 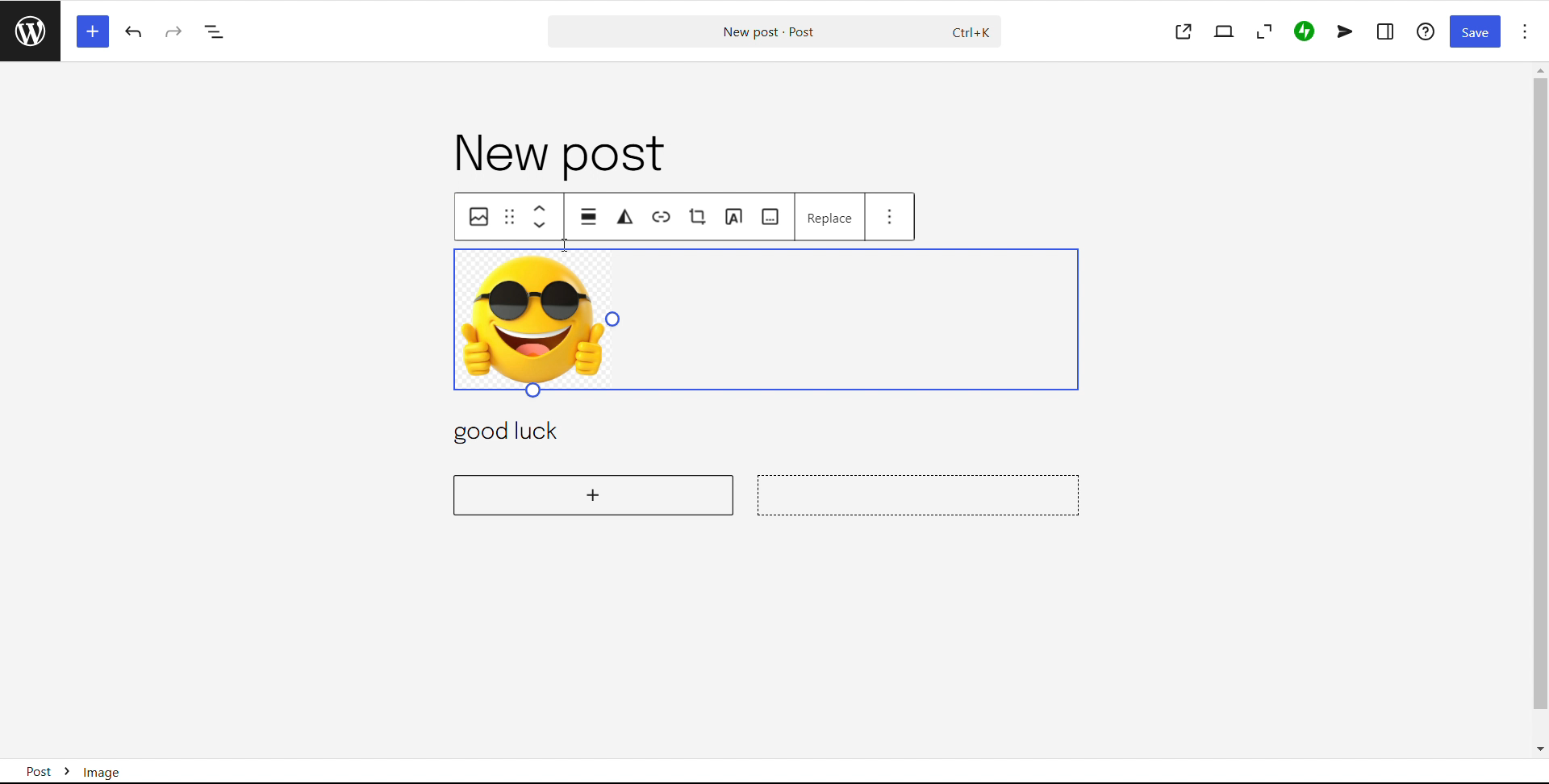 What do you see at coordinates (829, 215) in the screenshot?
I see `replace` at bounding box center [829, 215].